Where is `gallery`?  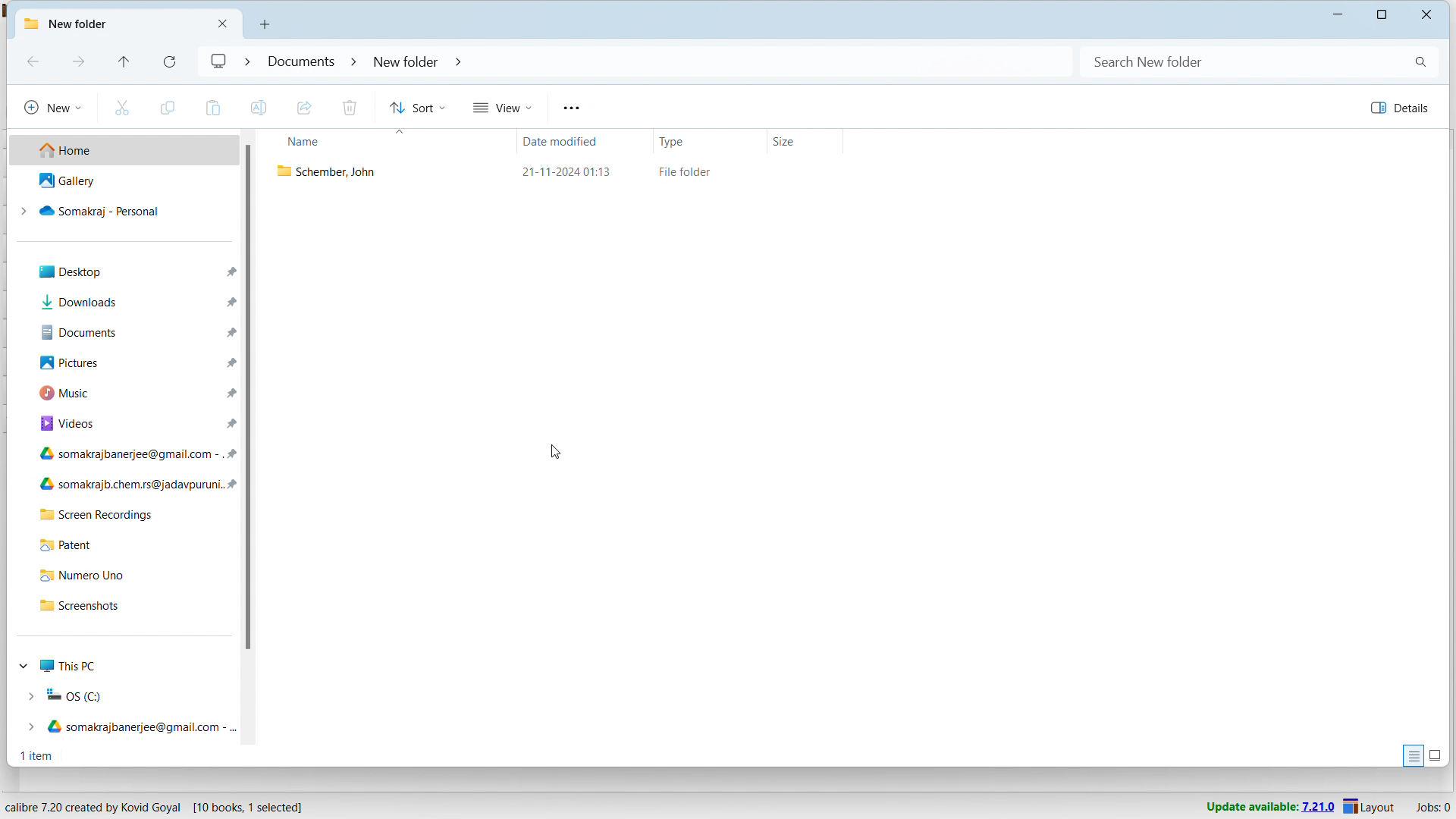 gallery is located at coordinates (115, 178).